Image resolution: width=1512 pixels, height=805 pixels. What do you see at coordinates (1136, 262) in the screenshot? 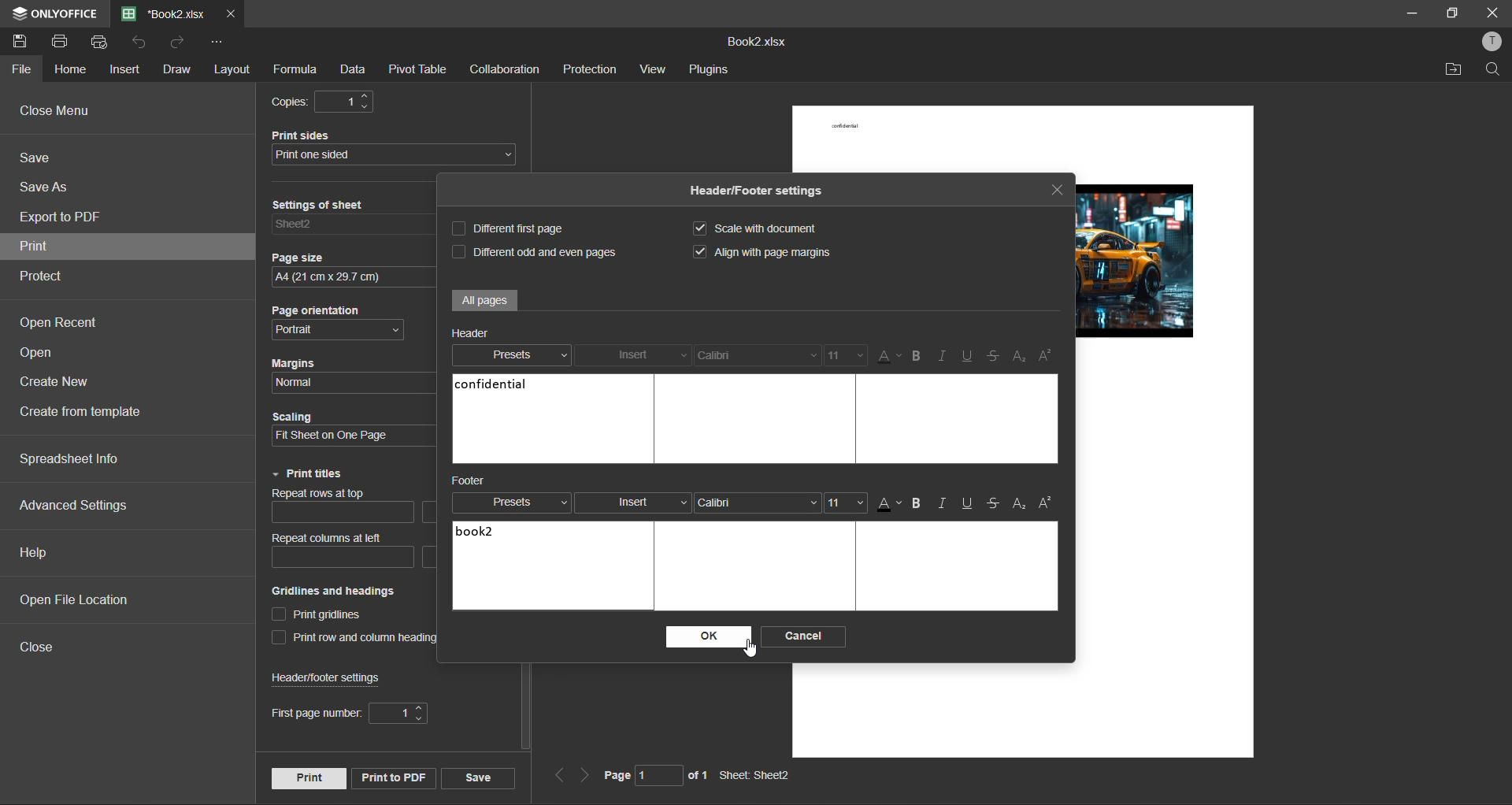
I see `picture` at bounding box center [1136, 262].